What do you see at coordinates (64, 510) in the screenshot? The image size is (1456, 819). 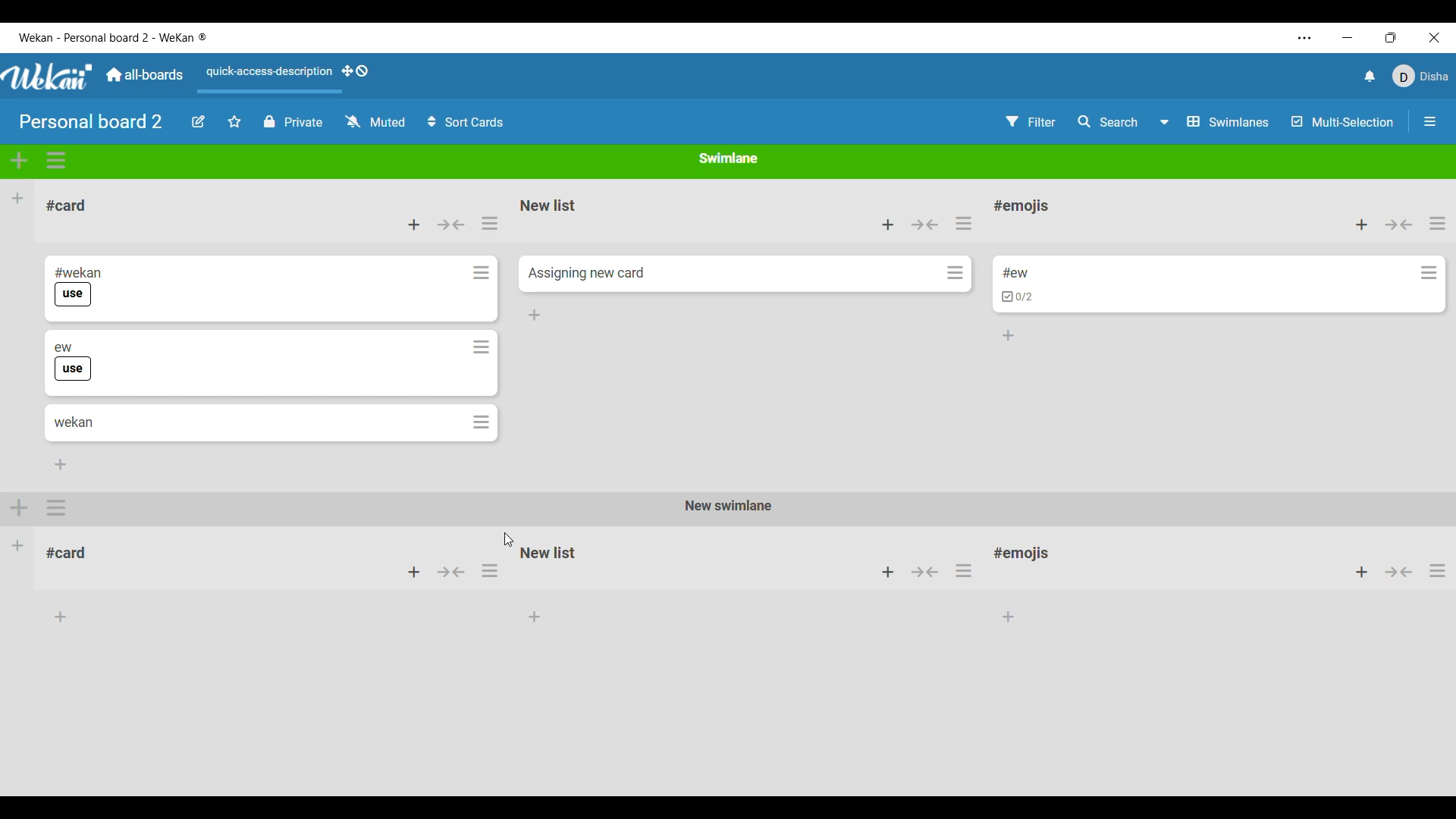 I see `options` at bounding box center [64, 510].